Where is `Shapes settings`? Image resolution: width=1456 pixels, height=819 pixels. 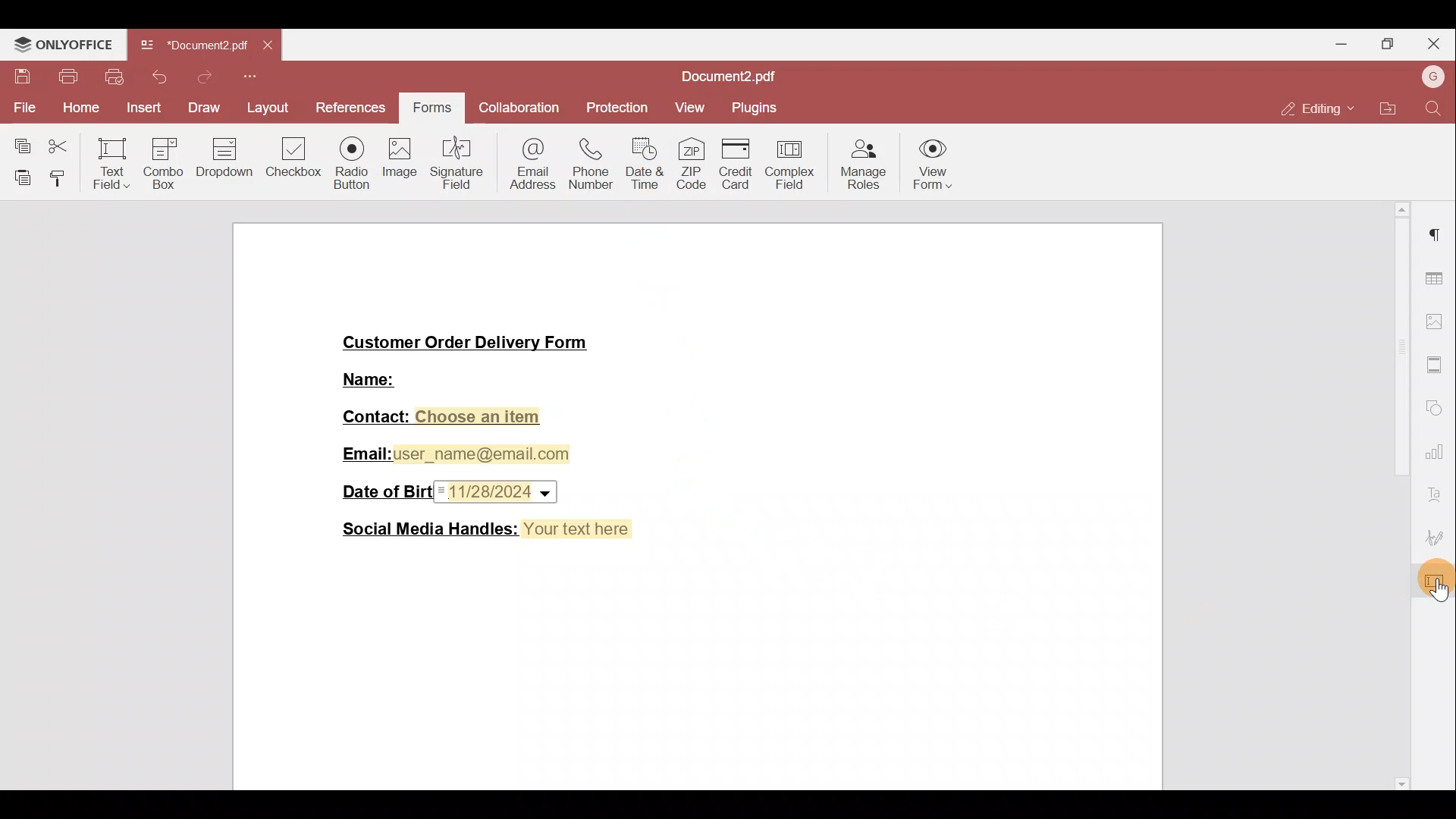
Shapes settings is located at coordinates (1436, 409).